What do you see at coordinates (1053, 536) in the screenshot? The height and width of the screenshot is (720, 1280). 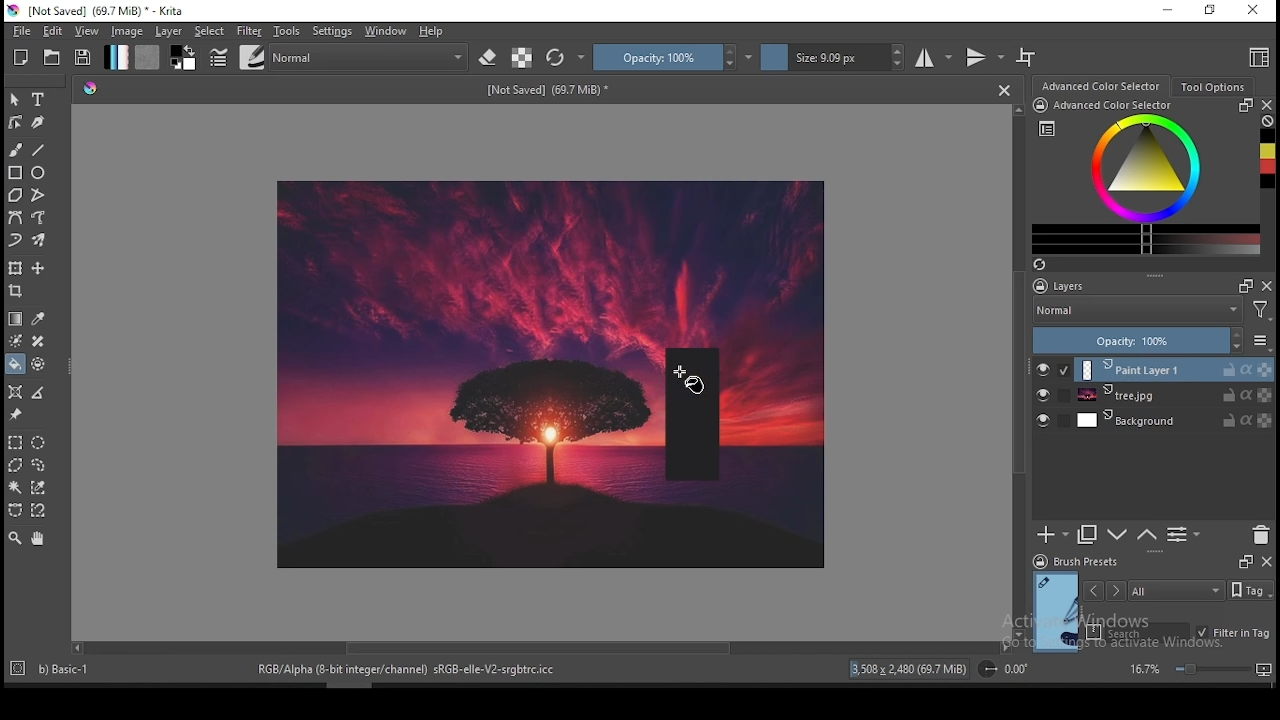 I see `new layer` at bounding box center [1053, 536].